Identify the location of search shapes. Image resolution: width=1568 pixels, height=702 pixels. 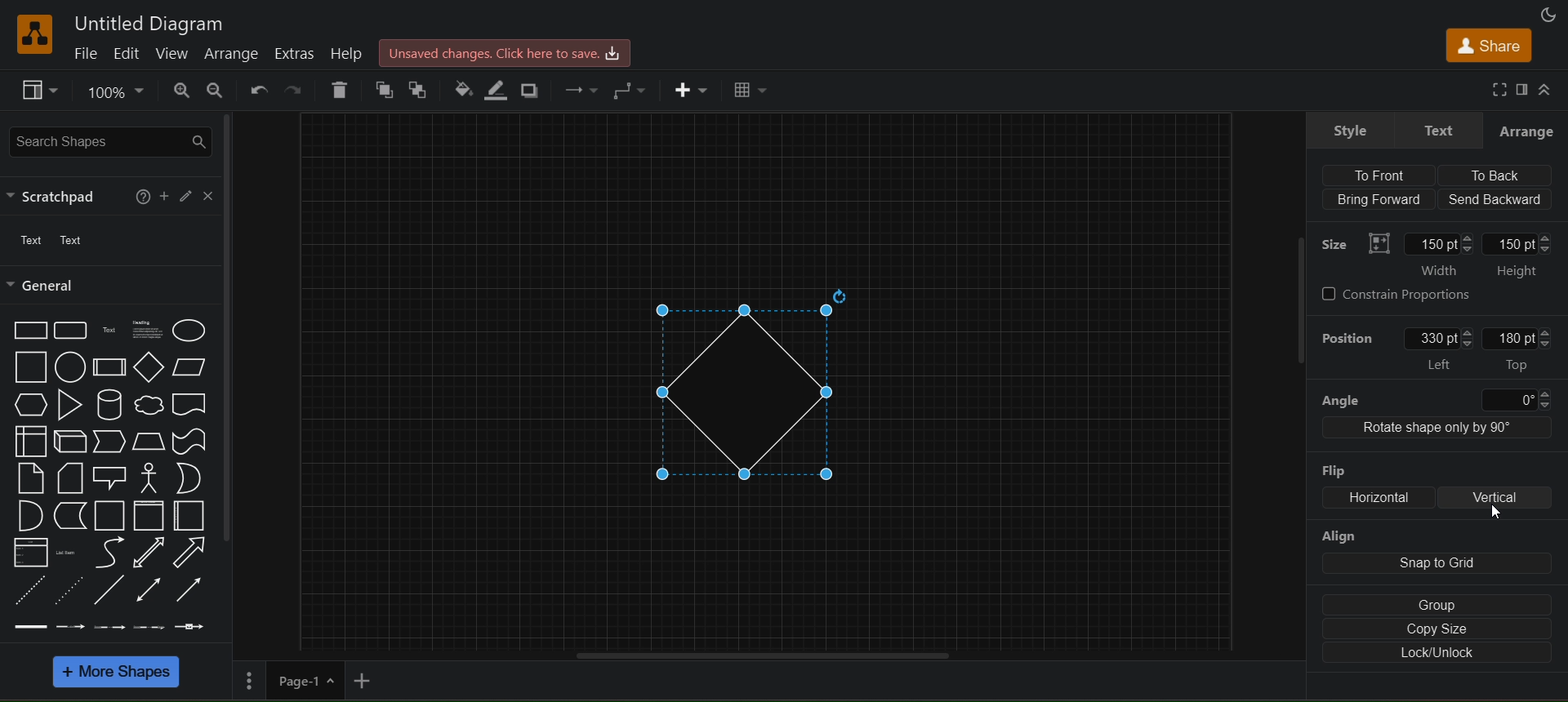
(108, 140).